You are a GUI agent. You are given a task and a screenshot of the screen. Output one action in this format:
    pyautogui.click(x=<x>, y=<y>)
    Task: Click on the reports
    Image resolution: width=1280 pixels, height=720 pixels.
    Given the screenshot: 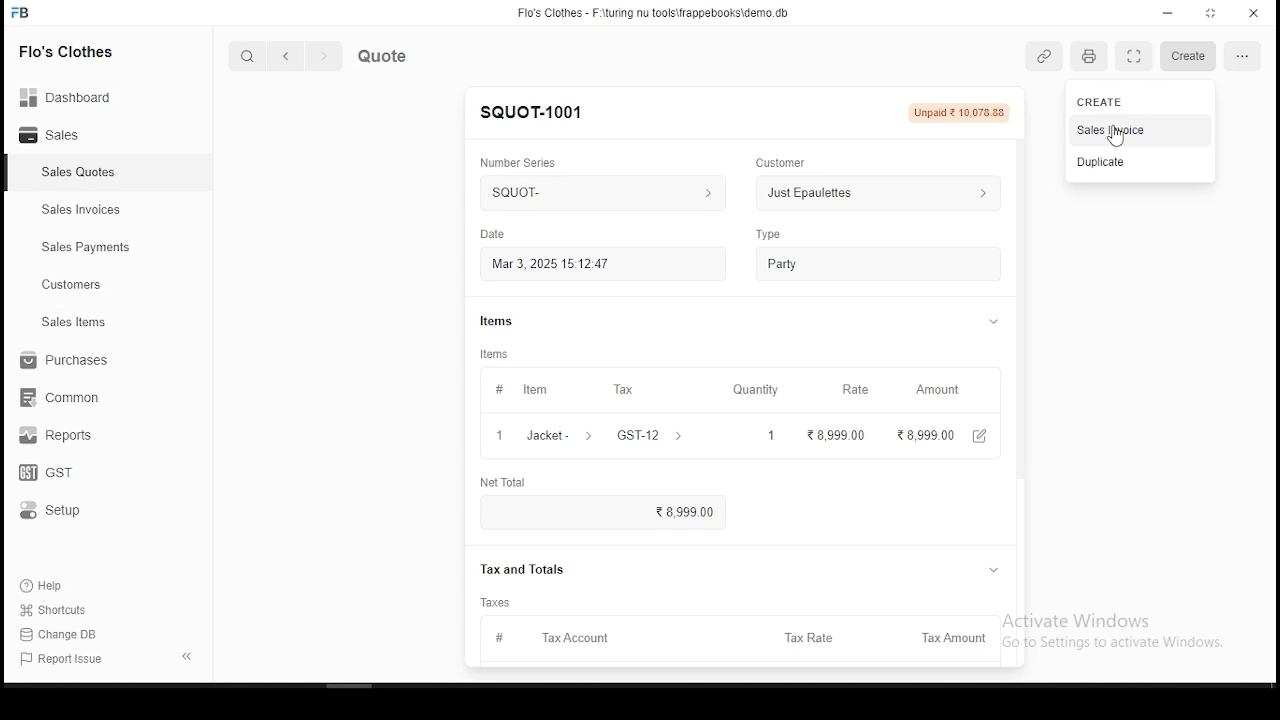 What is the action you would take?
    pyautogui.click(x=58, y=437)
    